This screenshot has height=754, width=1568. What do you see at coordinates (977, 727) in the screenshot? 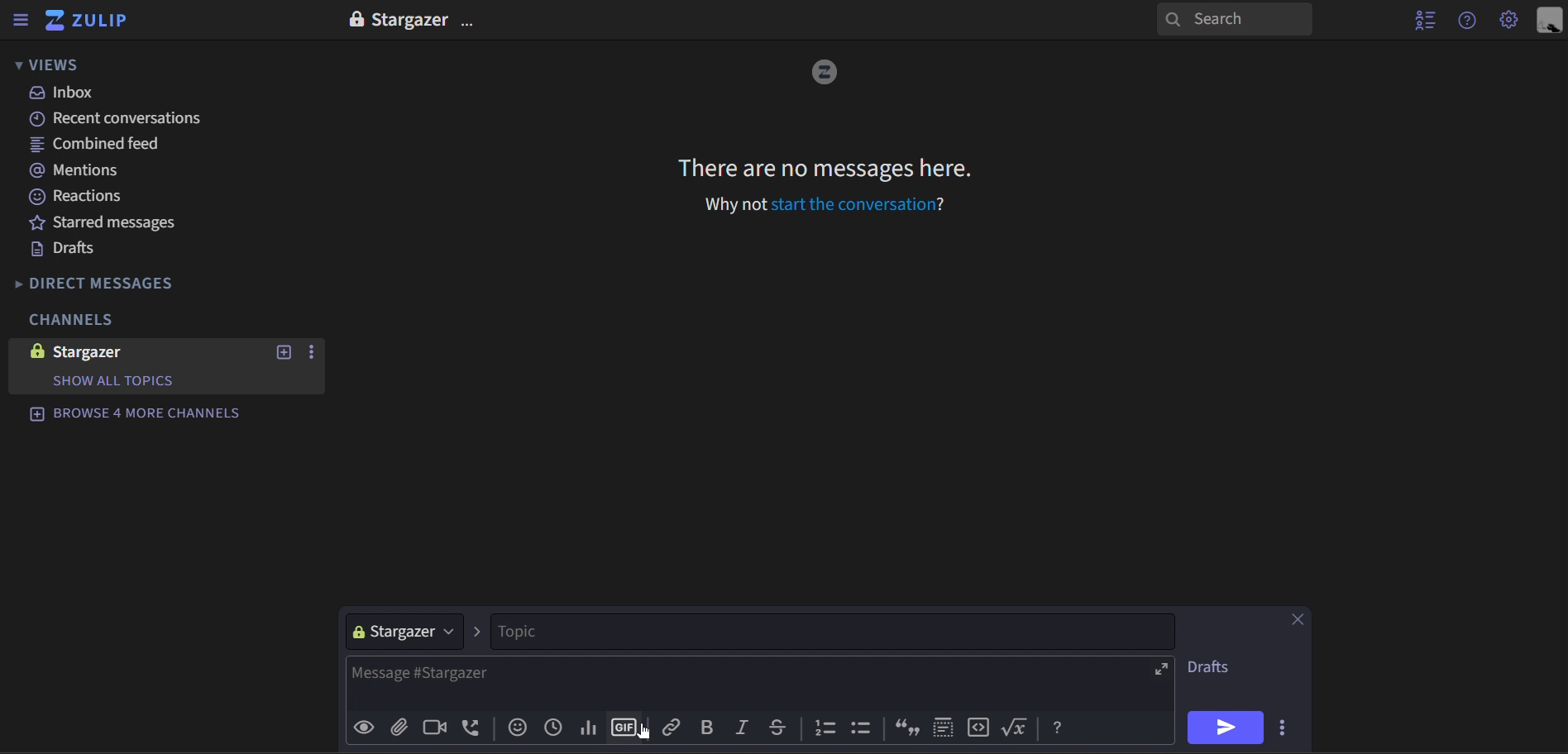
I see `code` at bounding box center [977, 727].